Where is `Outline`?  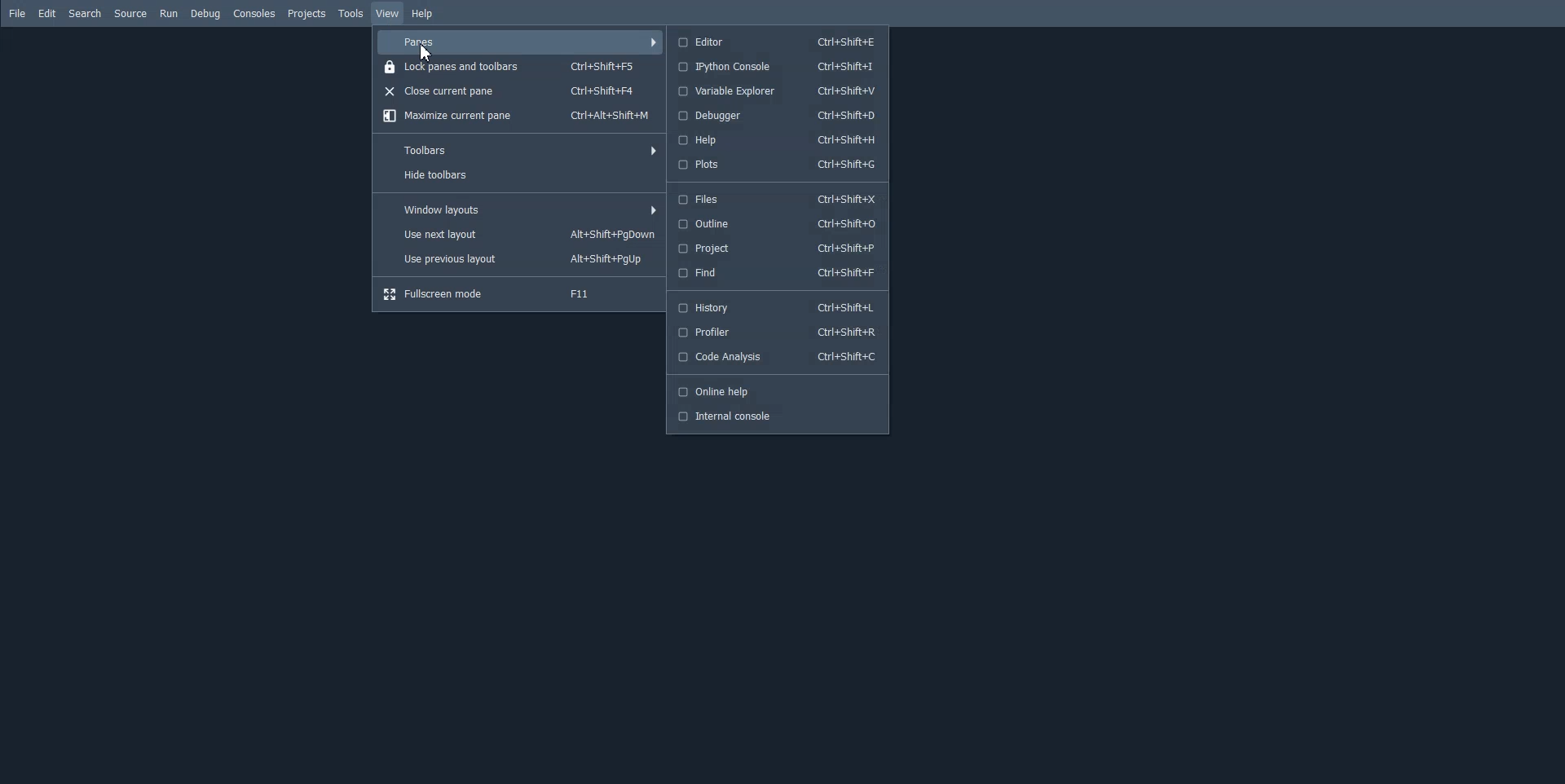 Outline is located at coordinates (775, 223).